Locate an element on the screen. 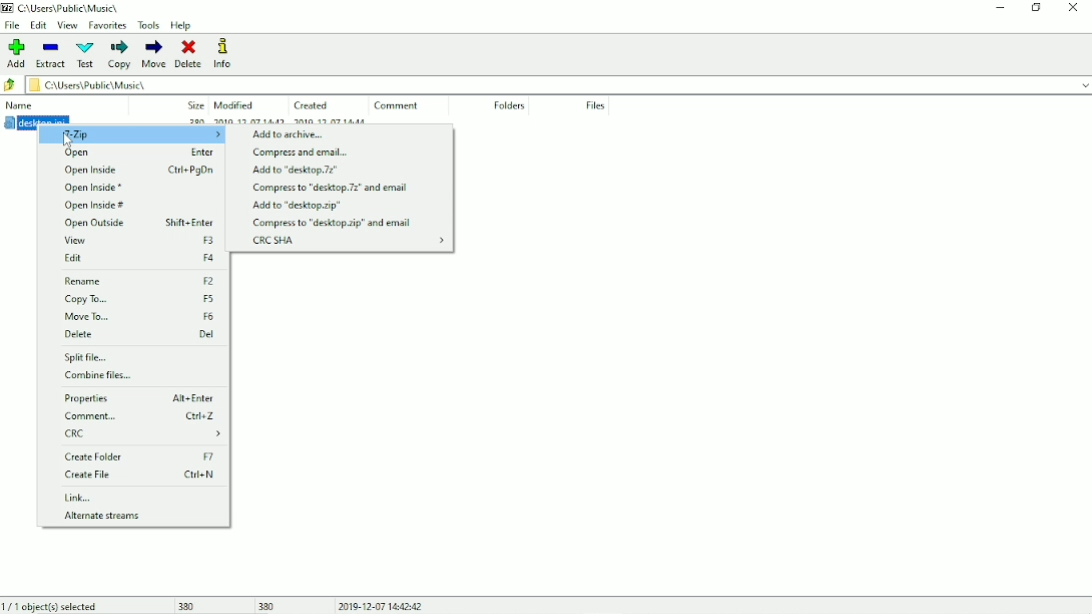 Image resolution: width=1092 pixels, height=614 pixels. Create Folder is located at coordinates (140, 456).